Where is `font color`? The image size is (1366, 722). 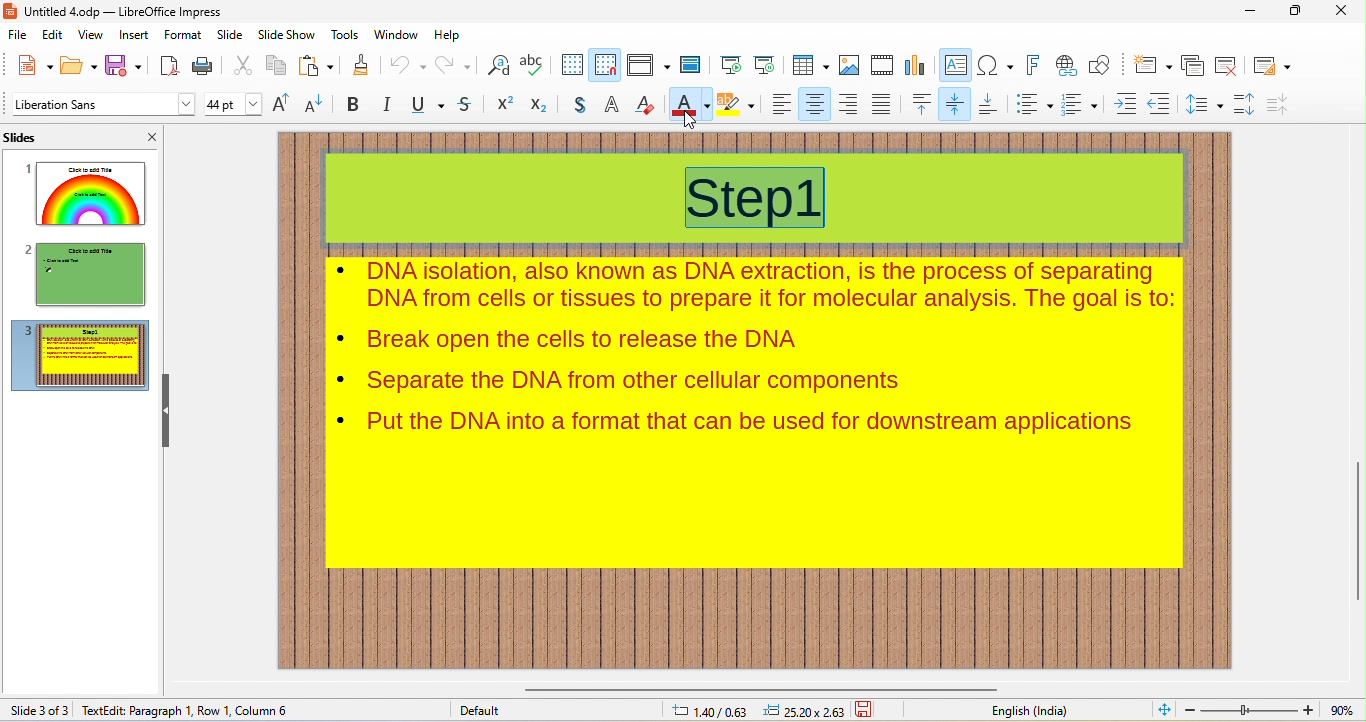
font color is located at coordinates (691, 106).